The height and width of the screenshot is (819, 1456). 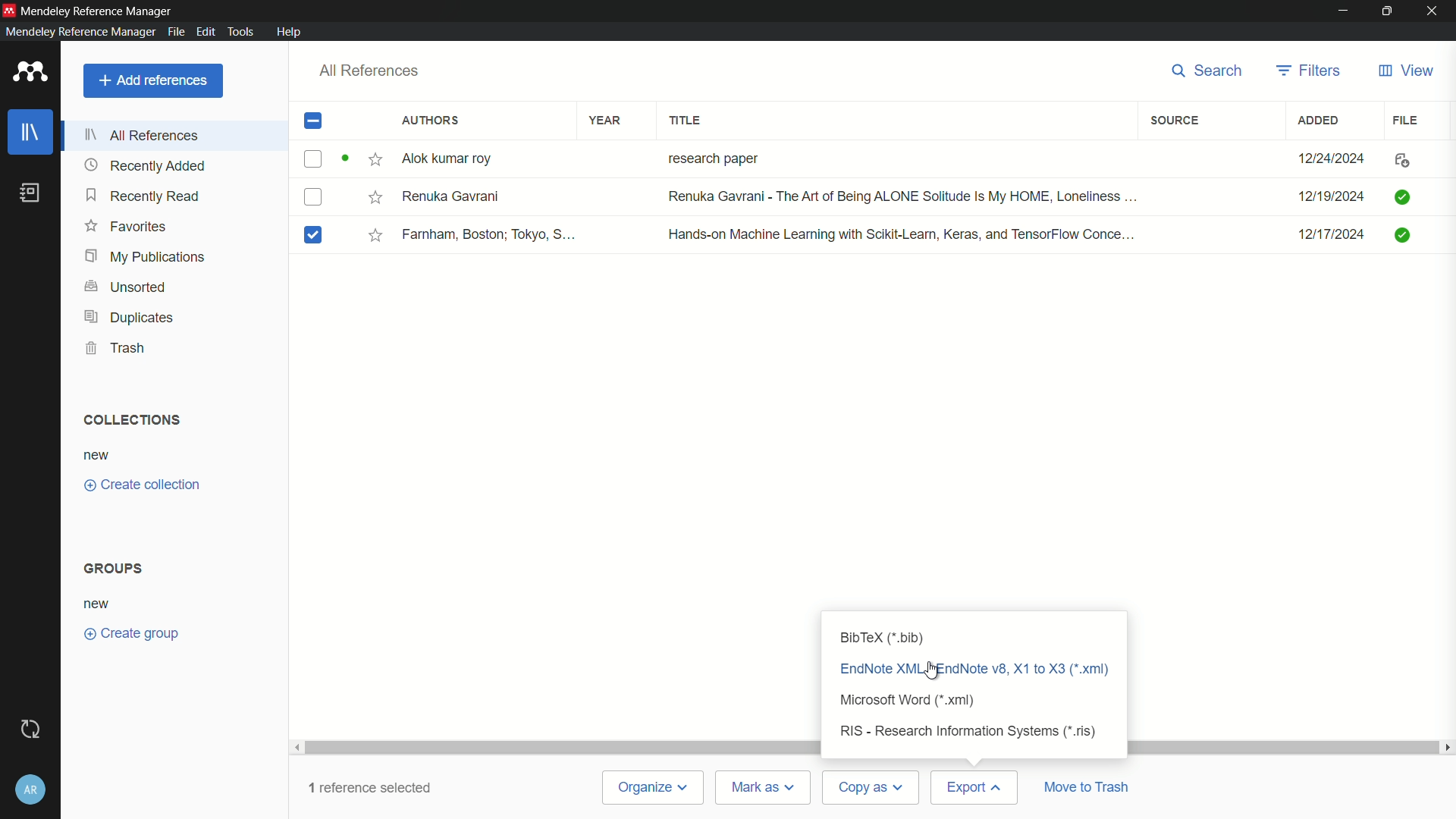 What do you see at coordinates (290, 32) in the screenshot?
I see `help menu` at bounding box center [290, 32].